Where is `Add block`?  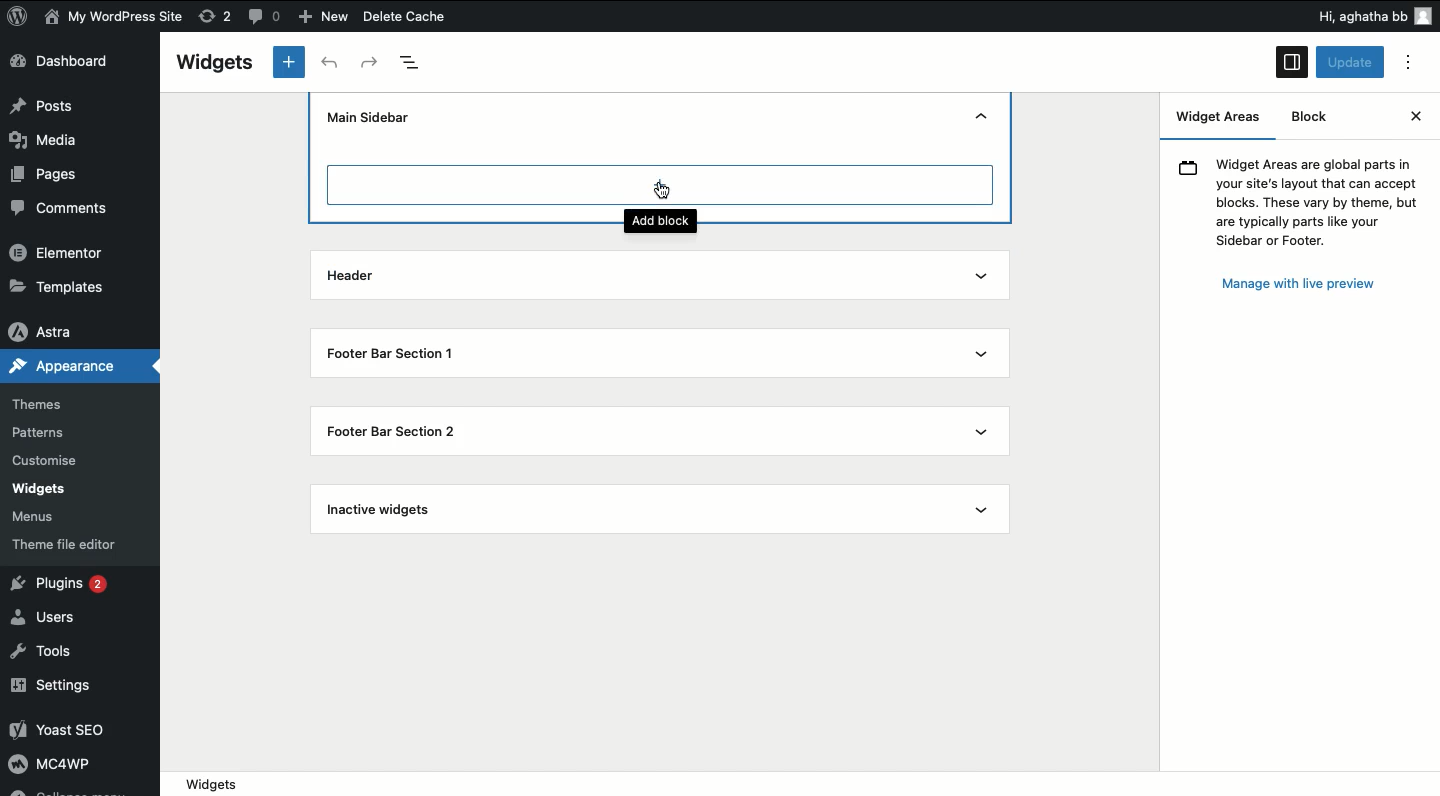 Add block is located at coordinates (662, 221).